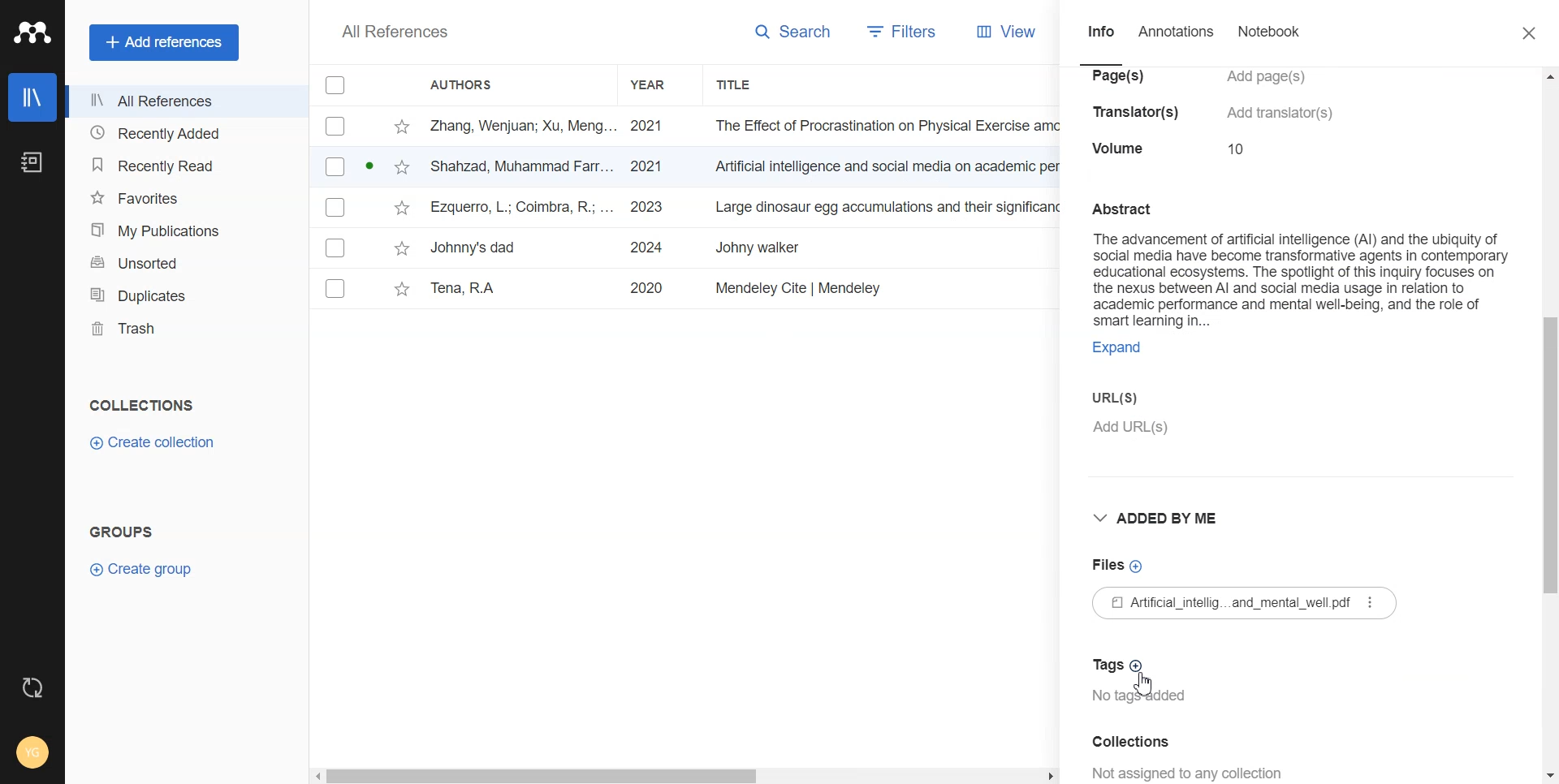 The width and height of the screenshot is (1559, 784). What do you see at coordinates (1299, 278) in the screenshot?
I see `Abstract

The advancement of artificial intelligence (Al) and the ubiquity of
social media have become transformative agents in contemporary
educational ecosystems. The spotlight of this inquiry focuses on
the nexus between Al and social media usage in relation to
academic performance and mental well-being, and the role of
smart learning in...

Expand` at bounding box center [1299, 278].